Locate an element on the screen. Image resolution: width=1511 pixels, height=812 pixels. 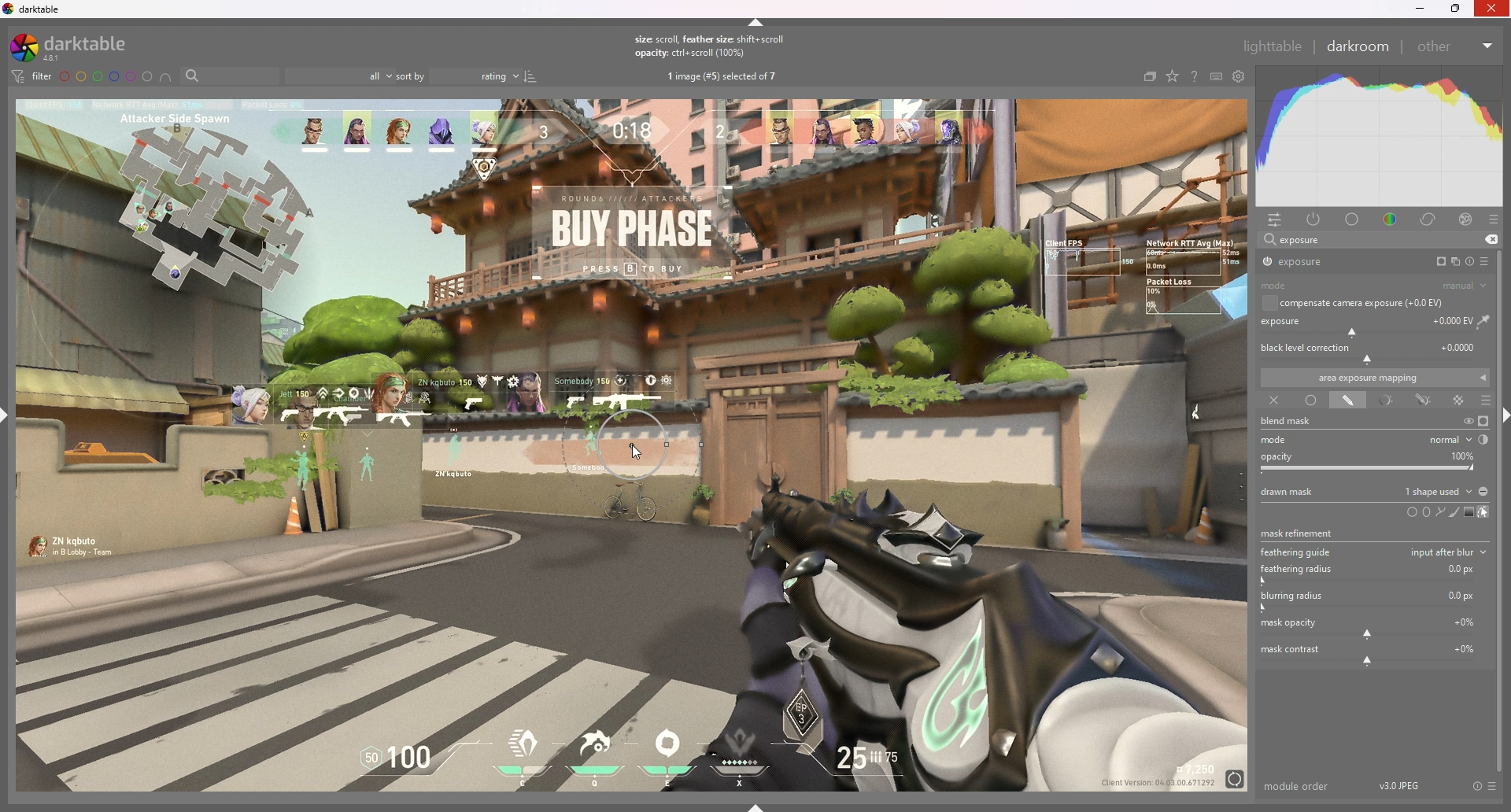
off is located at coordinates (1272, 401).